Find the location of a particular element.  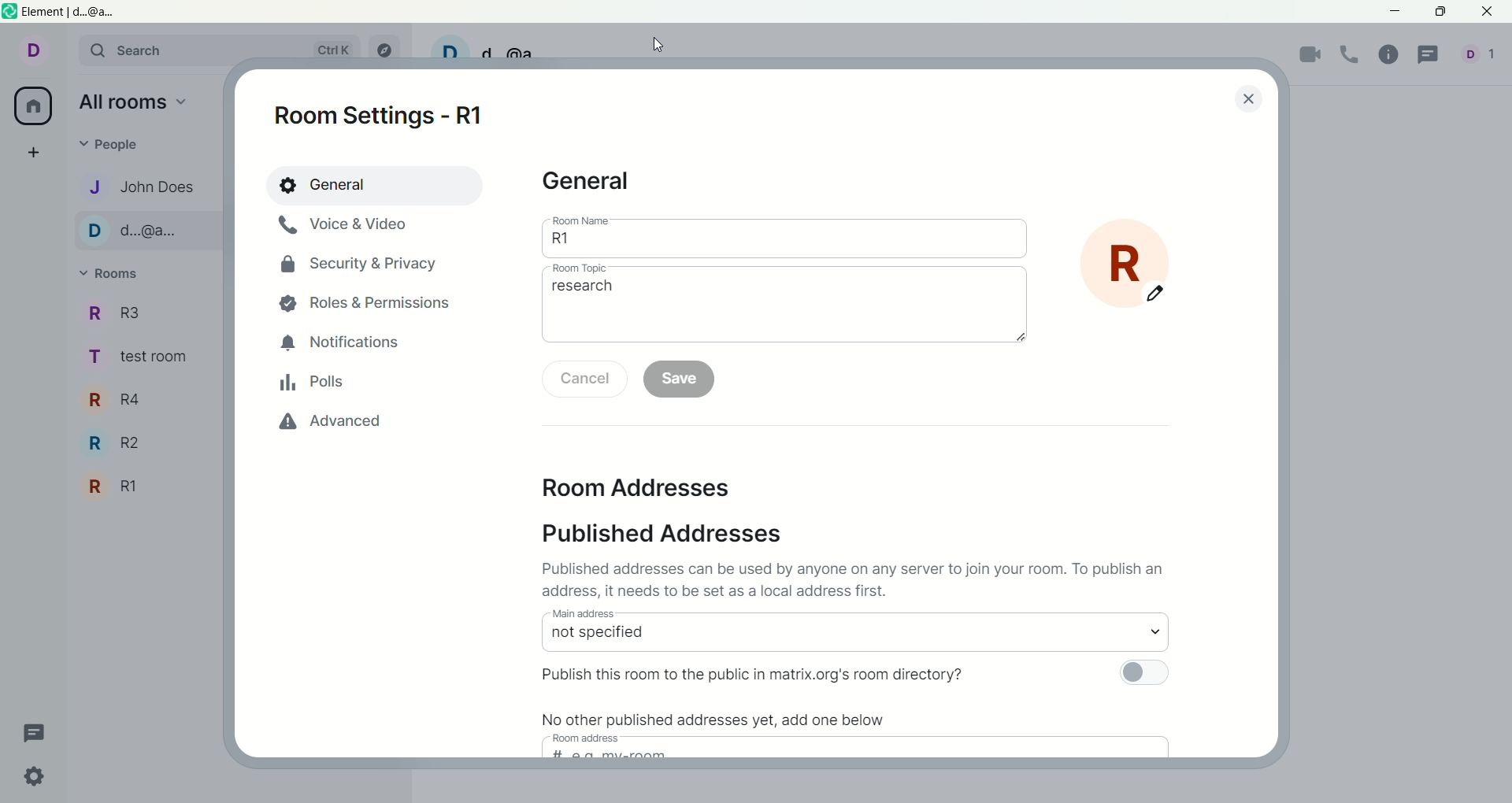

close is located at coordinates (1486, 12).